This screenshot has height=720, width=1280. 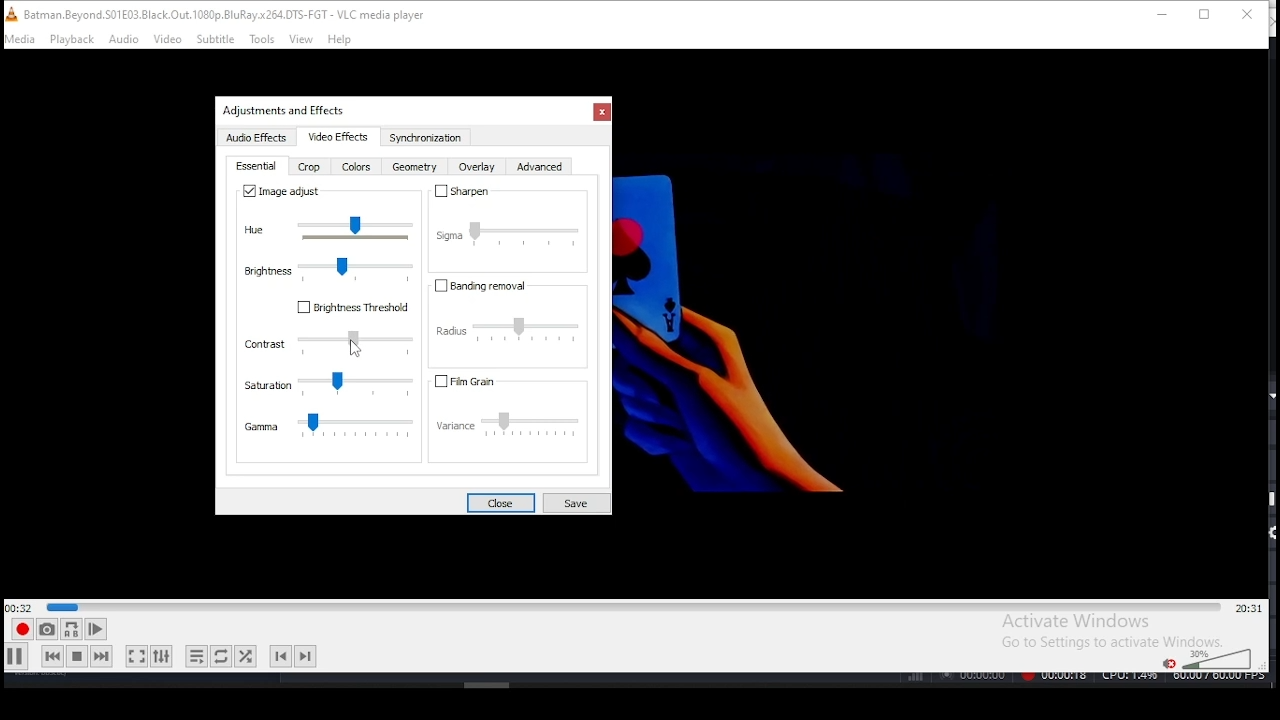 I want to click on fil grain on/off, so click(x=487, y=381).